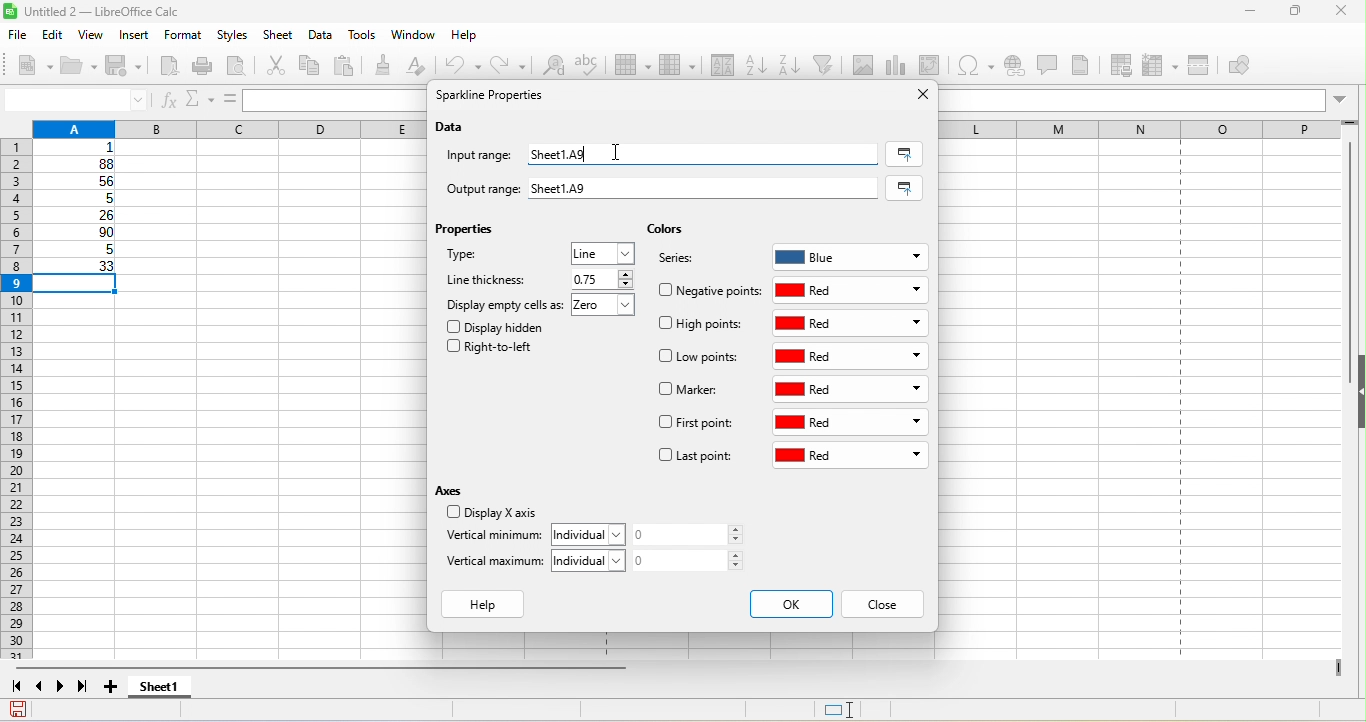 The image size is (1366, 722). Describe the element at coordinates (486, 258) in the screenshot. I see `type` at that location.